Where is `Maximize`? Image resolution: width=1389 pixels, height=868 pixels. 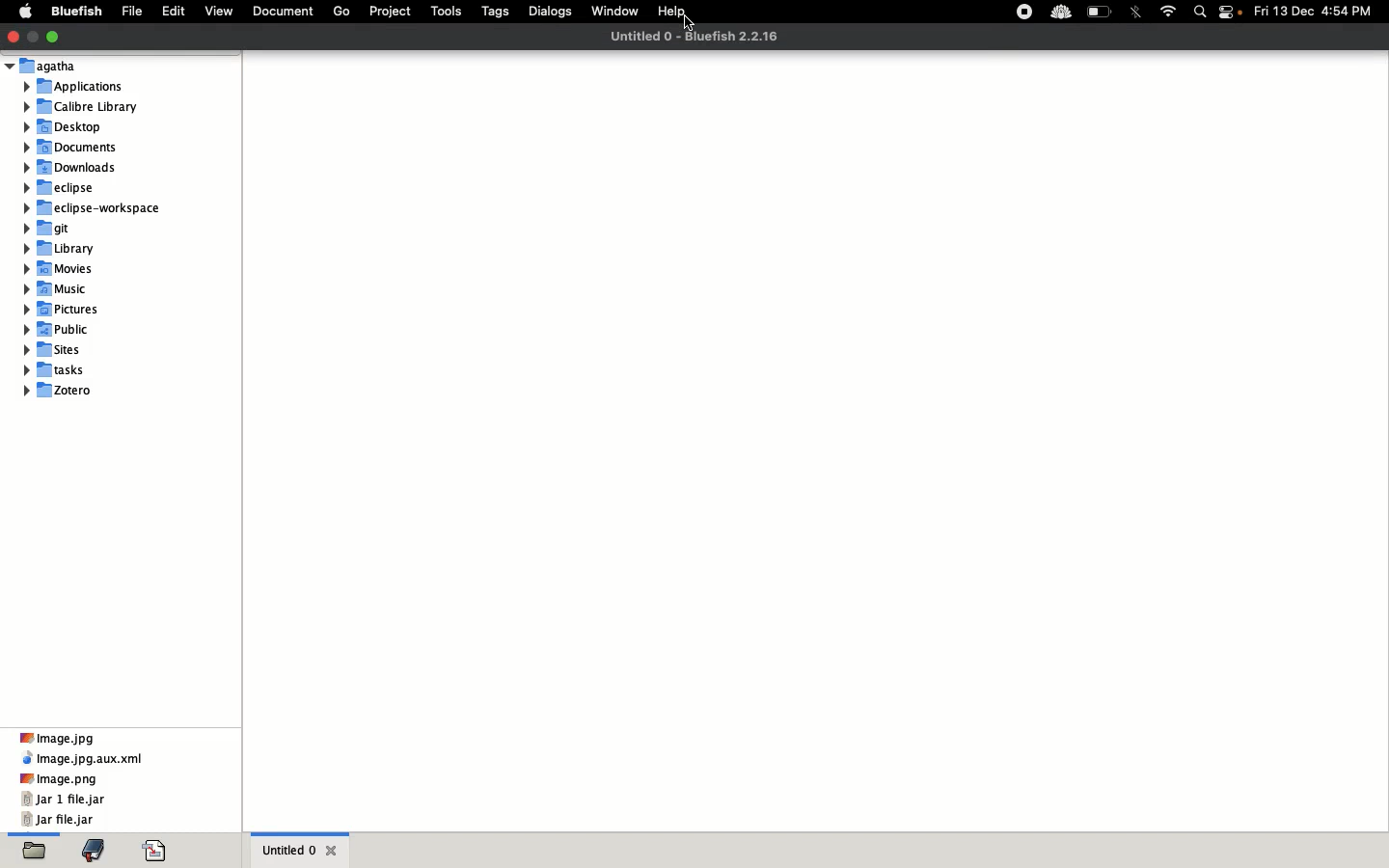 Maximize is located at coordinates (55, 36).